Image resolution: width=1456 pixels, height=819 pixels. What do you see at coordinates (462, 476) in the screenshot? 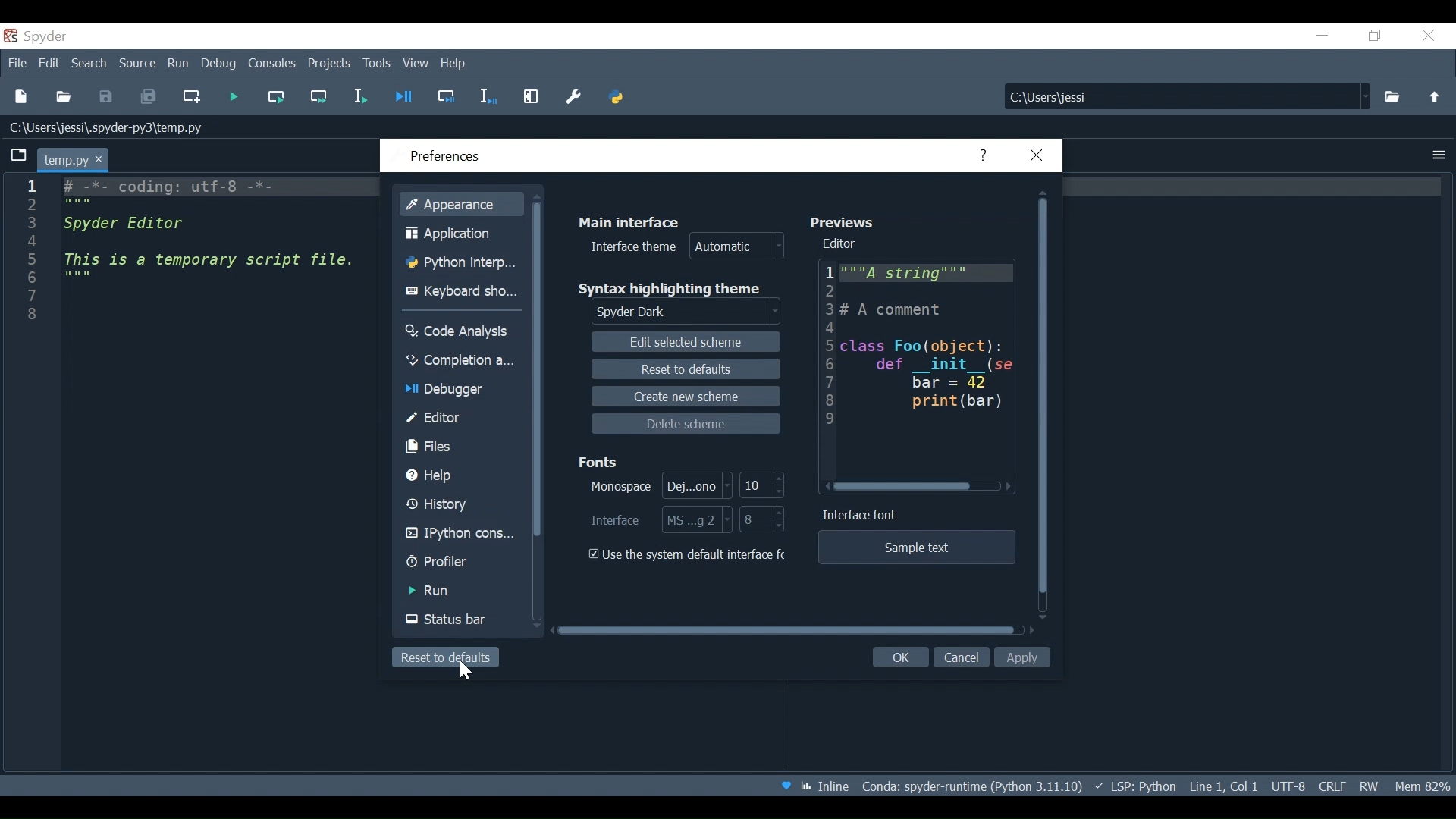
I see `Help` at bounding box center [462, 476].